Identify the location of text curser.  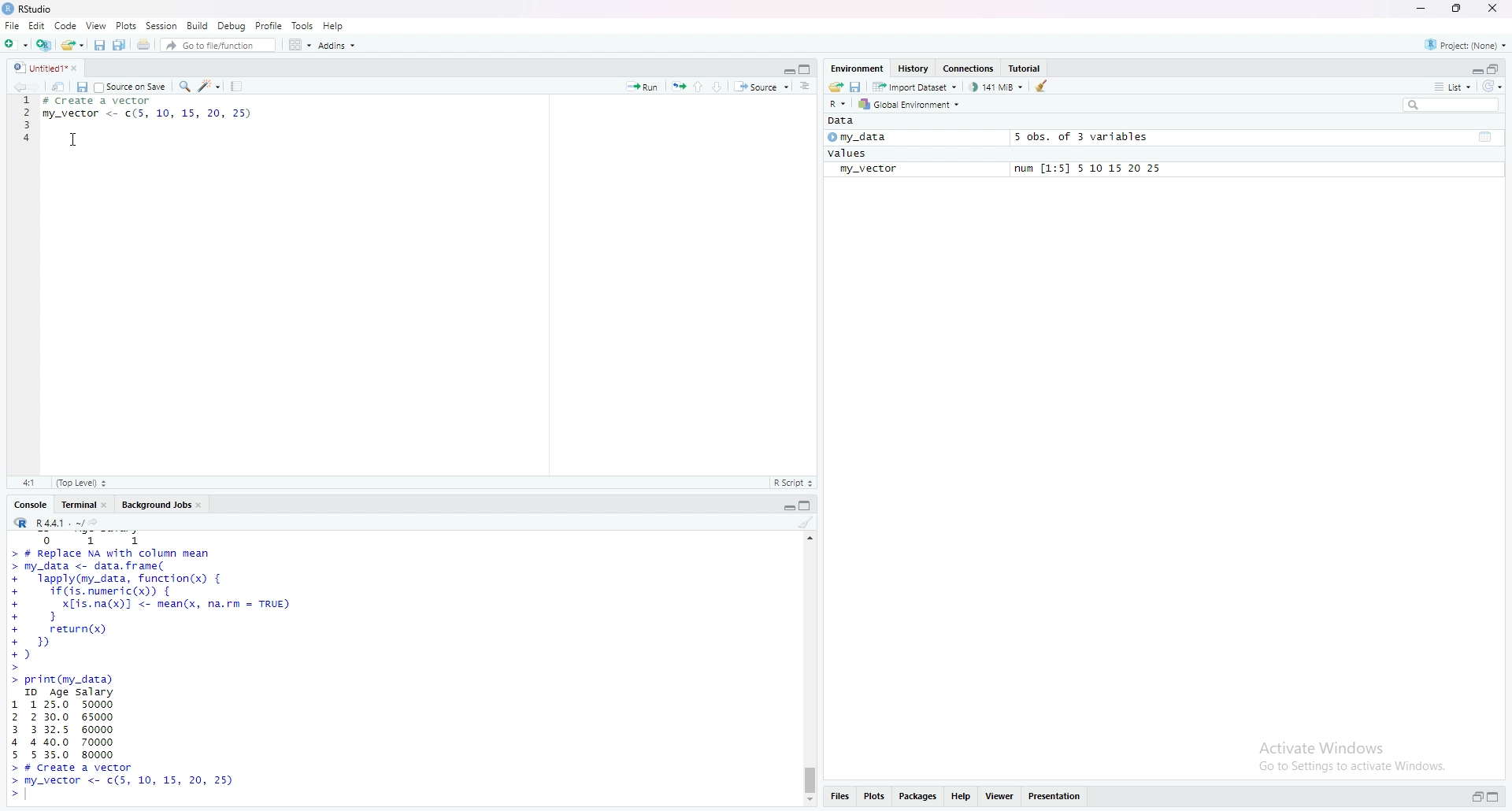
(31, 795).